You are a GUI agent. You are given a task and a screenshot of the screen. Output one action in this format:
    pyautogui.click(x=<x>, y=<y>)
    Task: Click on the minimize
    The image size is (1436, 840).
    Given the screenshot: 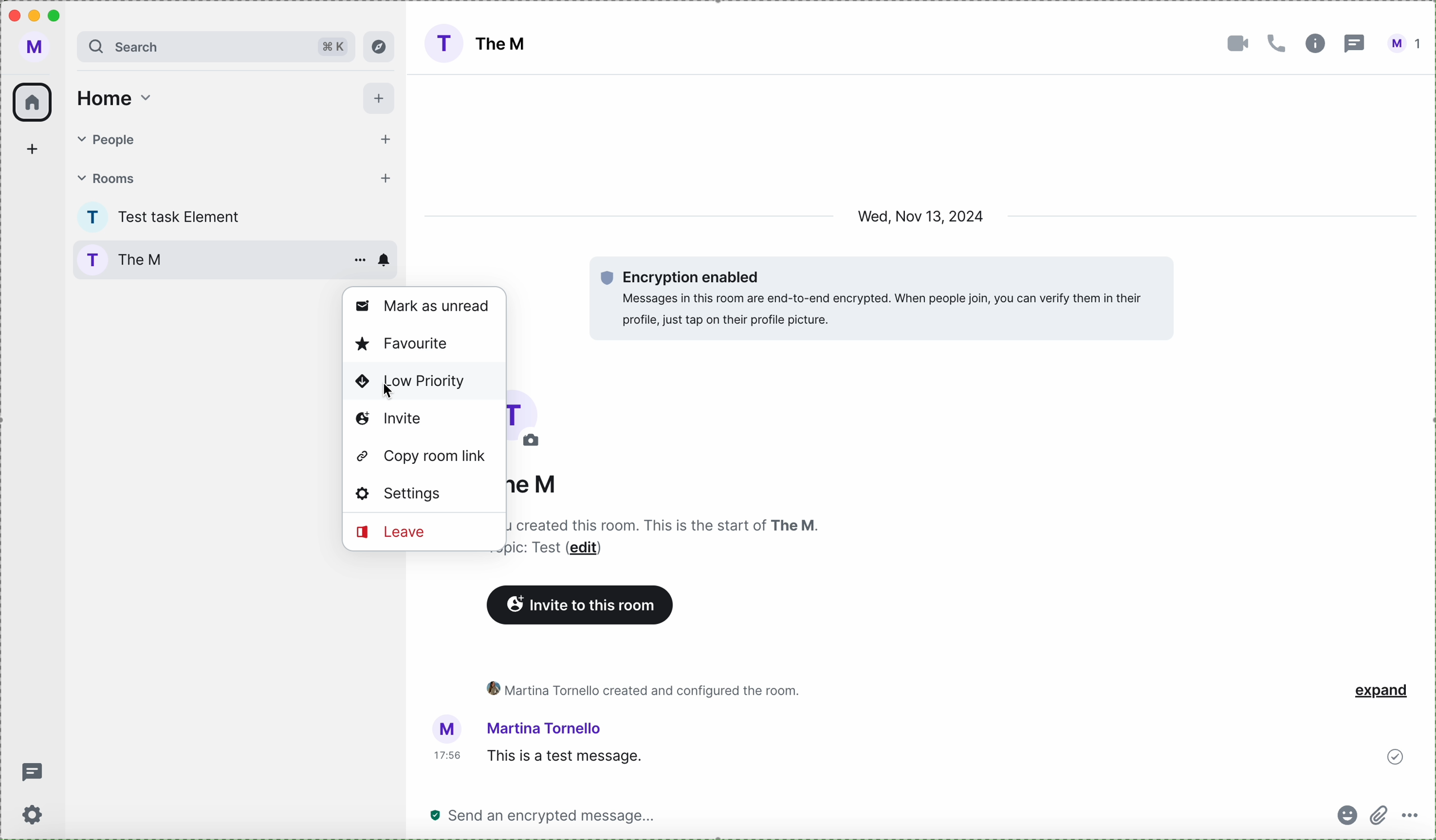 What is the action you would take?
    pyautogui.click(x=35, y=16)
    